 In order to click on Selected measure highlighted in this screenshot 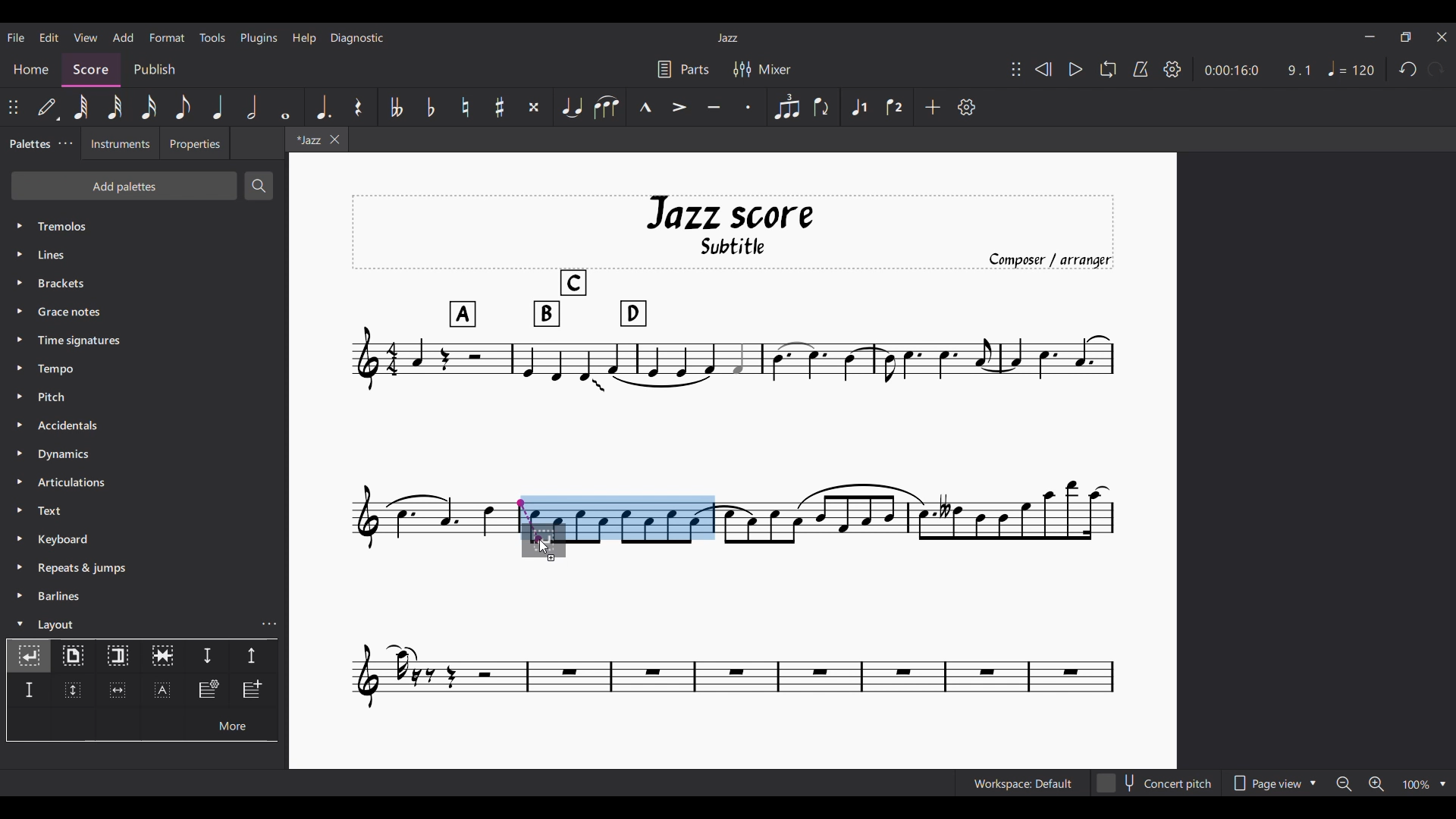, I will do `click(642, 517)`.